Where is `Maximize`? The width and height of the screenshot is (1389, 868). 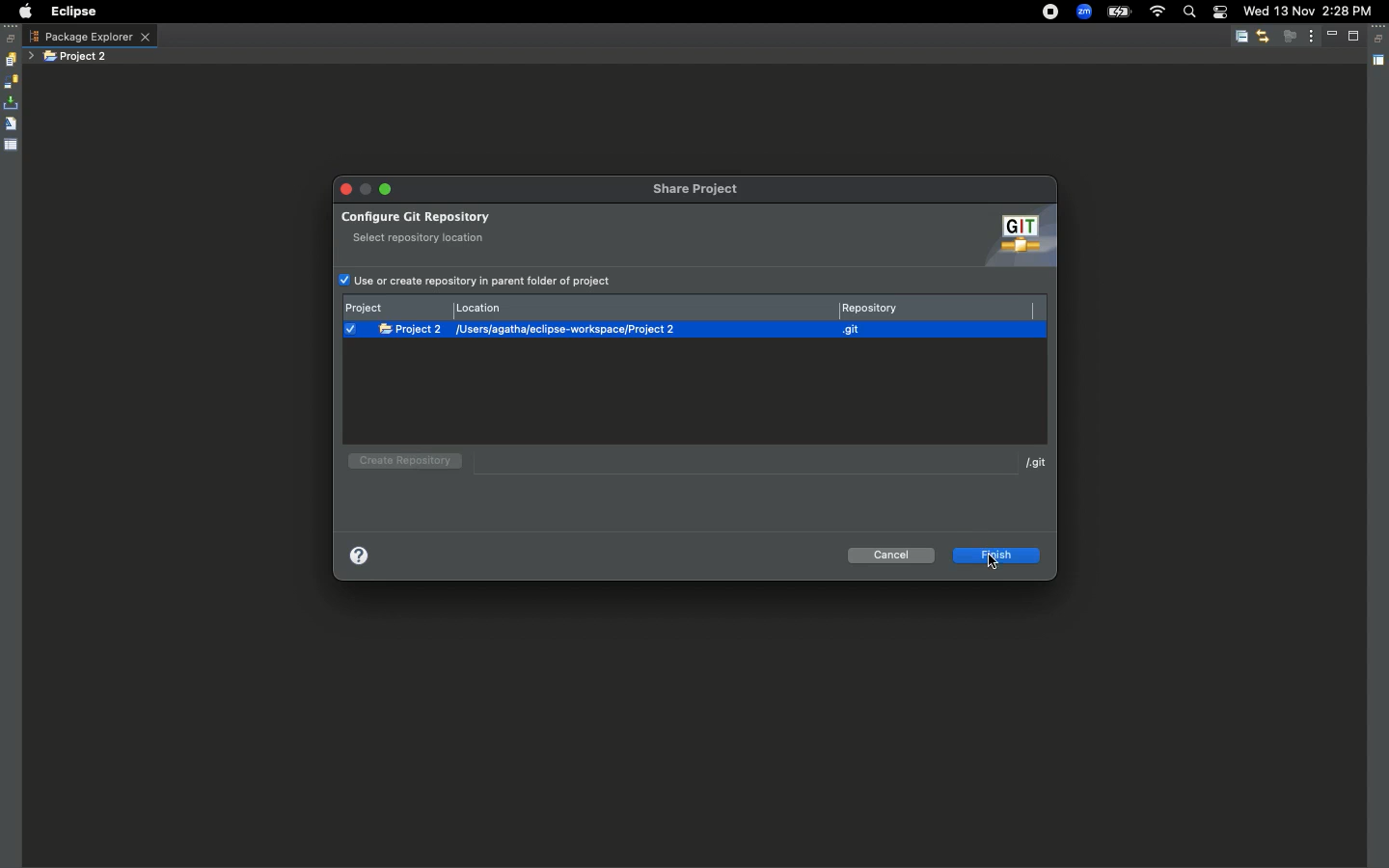
Maximize is located at coordinates (1355, 36).